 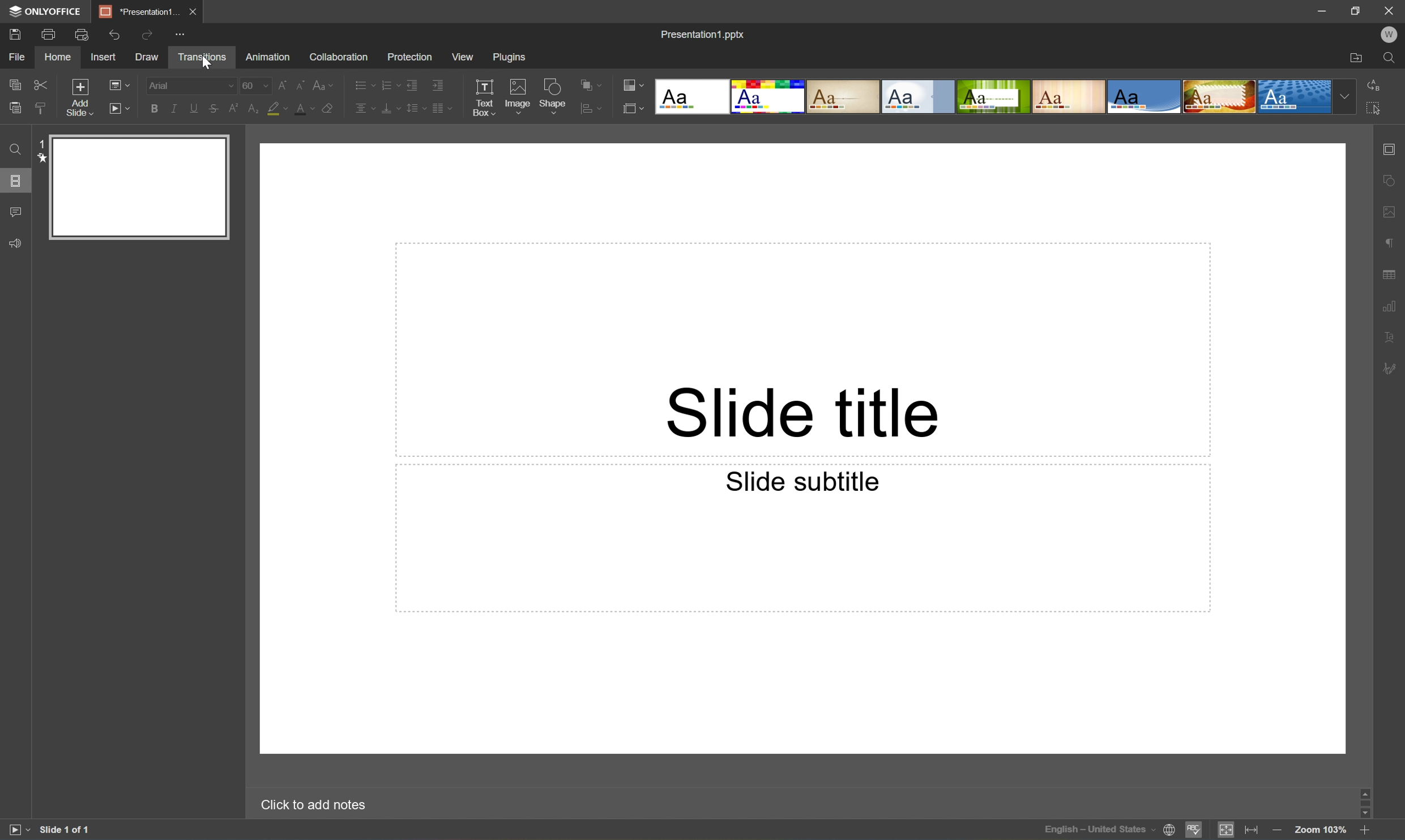 What do you see at coordinates (48, 11) in the screenshot?
I see `ONLYOFFICE` at bounding box center [48, 11].